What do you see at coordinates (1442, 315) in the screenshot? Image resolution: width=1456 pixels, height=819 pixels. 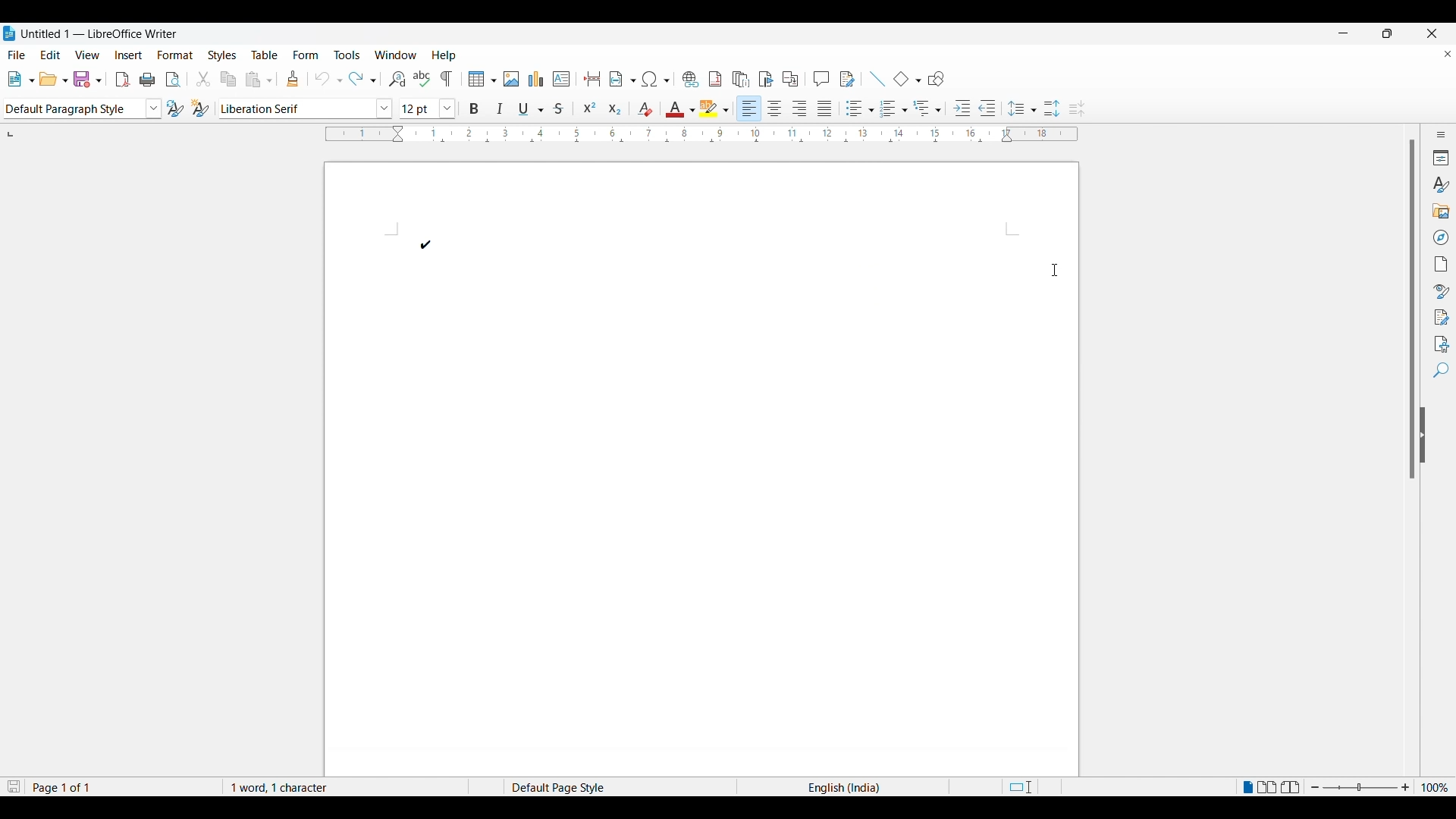 I see `Manage changes` at bounding box center [1442, 315].